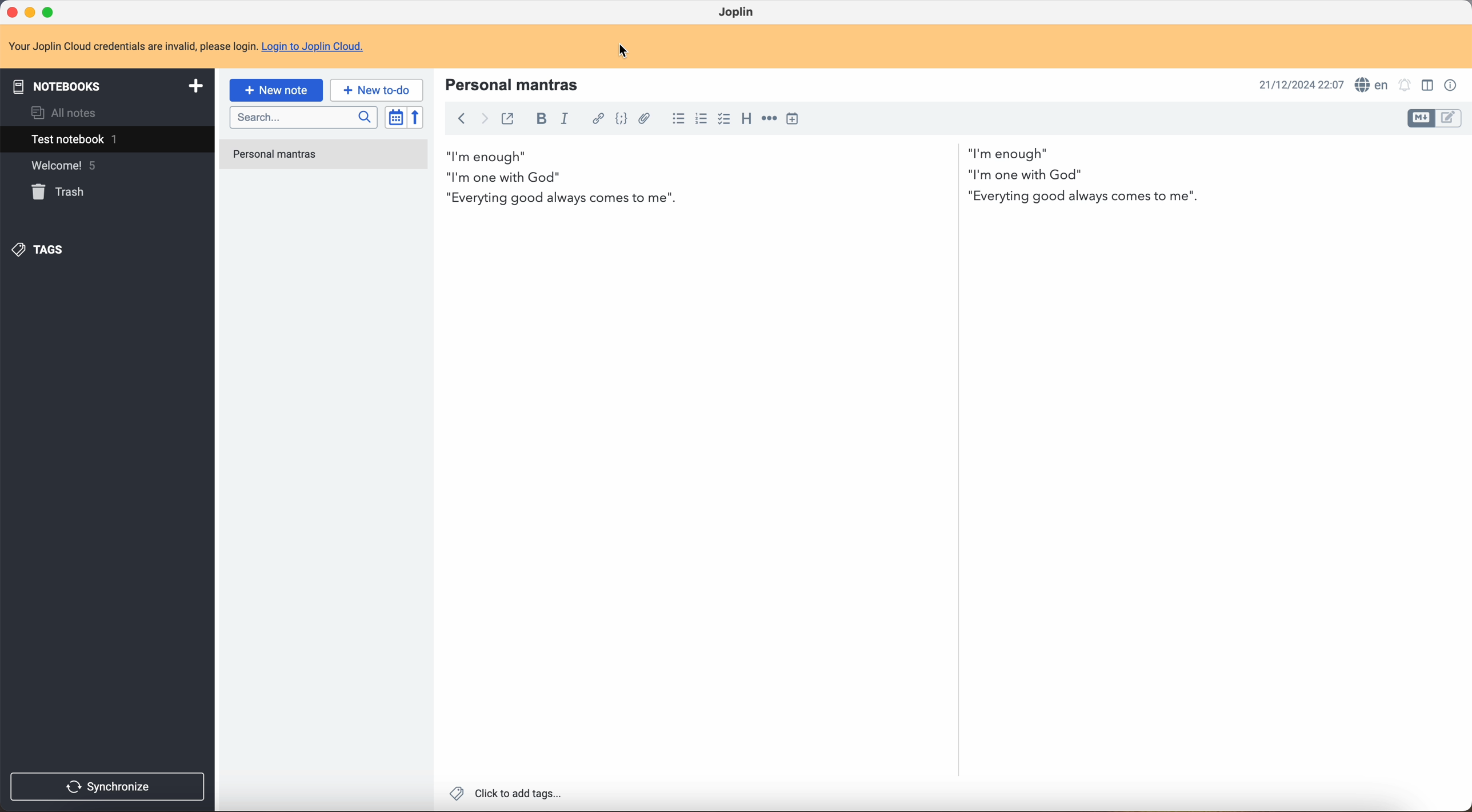 The image size is (1472, 812). Describe the element at coordinates (461, 119) in the screenshot. I see `back` at that location.